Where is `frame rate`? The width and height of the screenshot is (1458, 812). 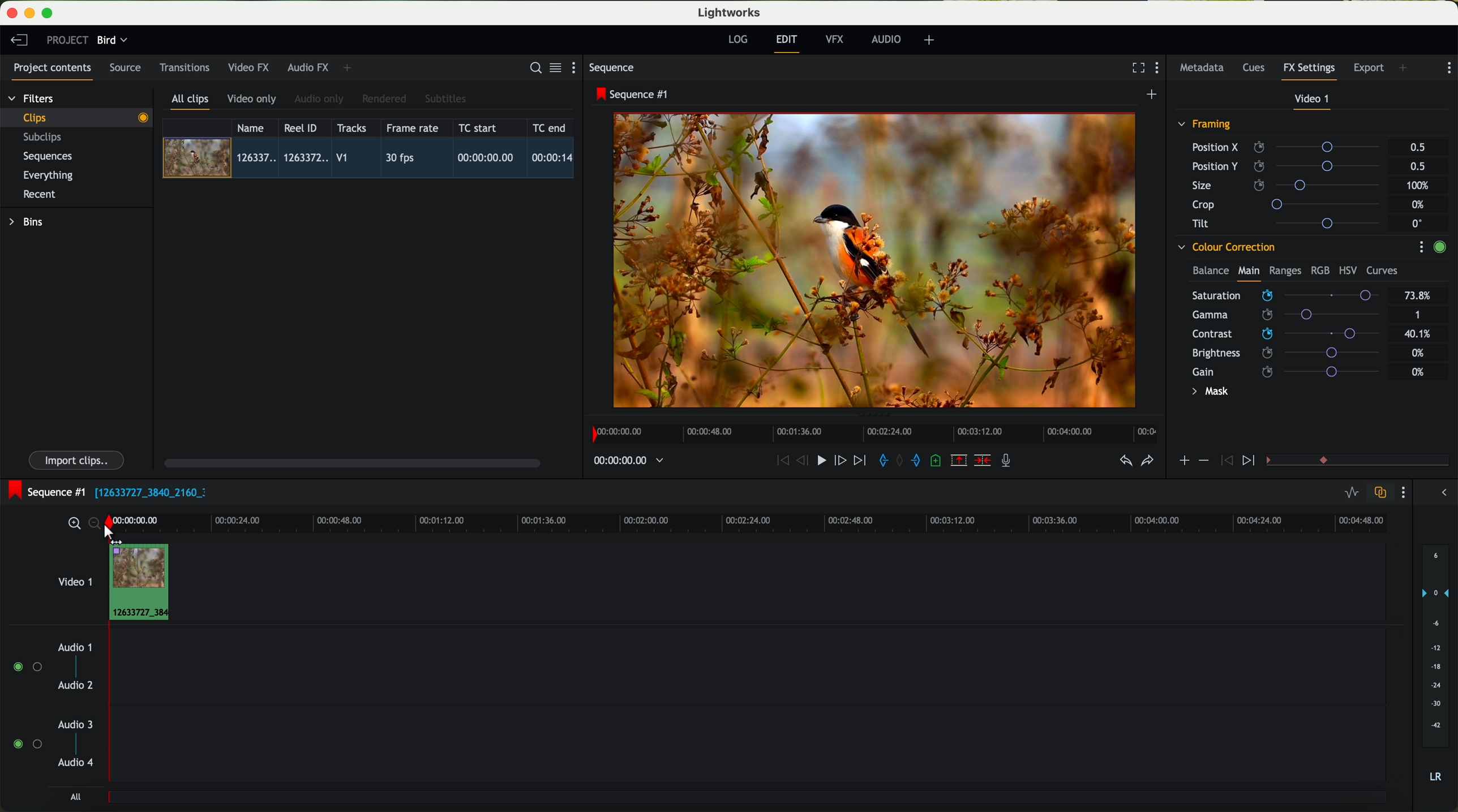
frame rate is located at coordinates (413, 128).